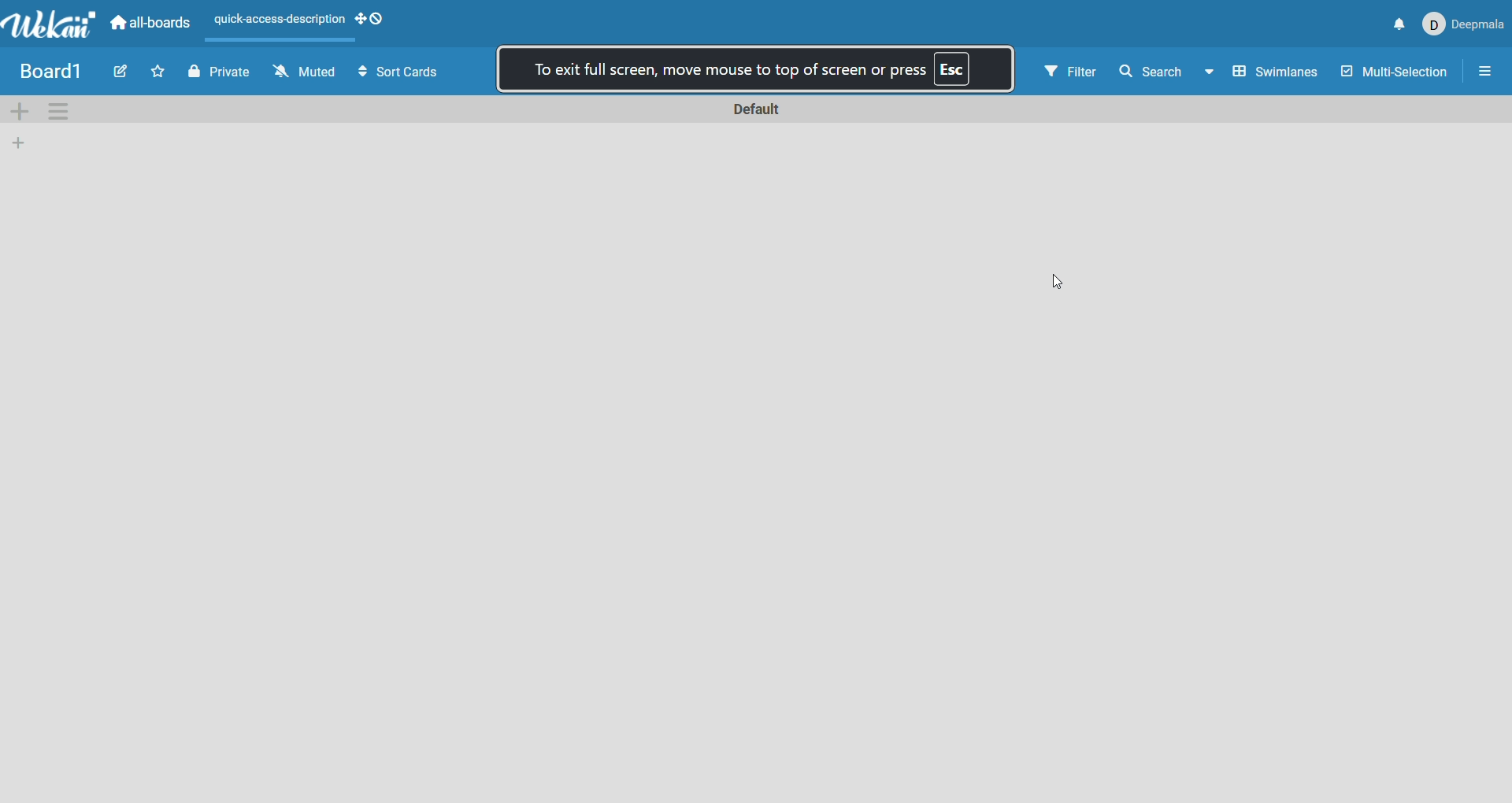  I want to click on show-desktop-drag-handles, so click(380, 20).